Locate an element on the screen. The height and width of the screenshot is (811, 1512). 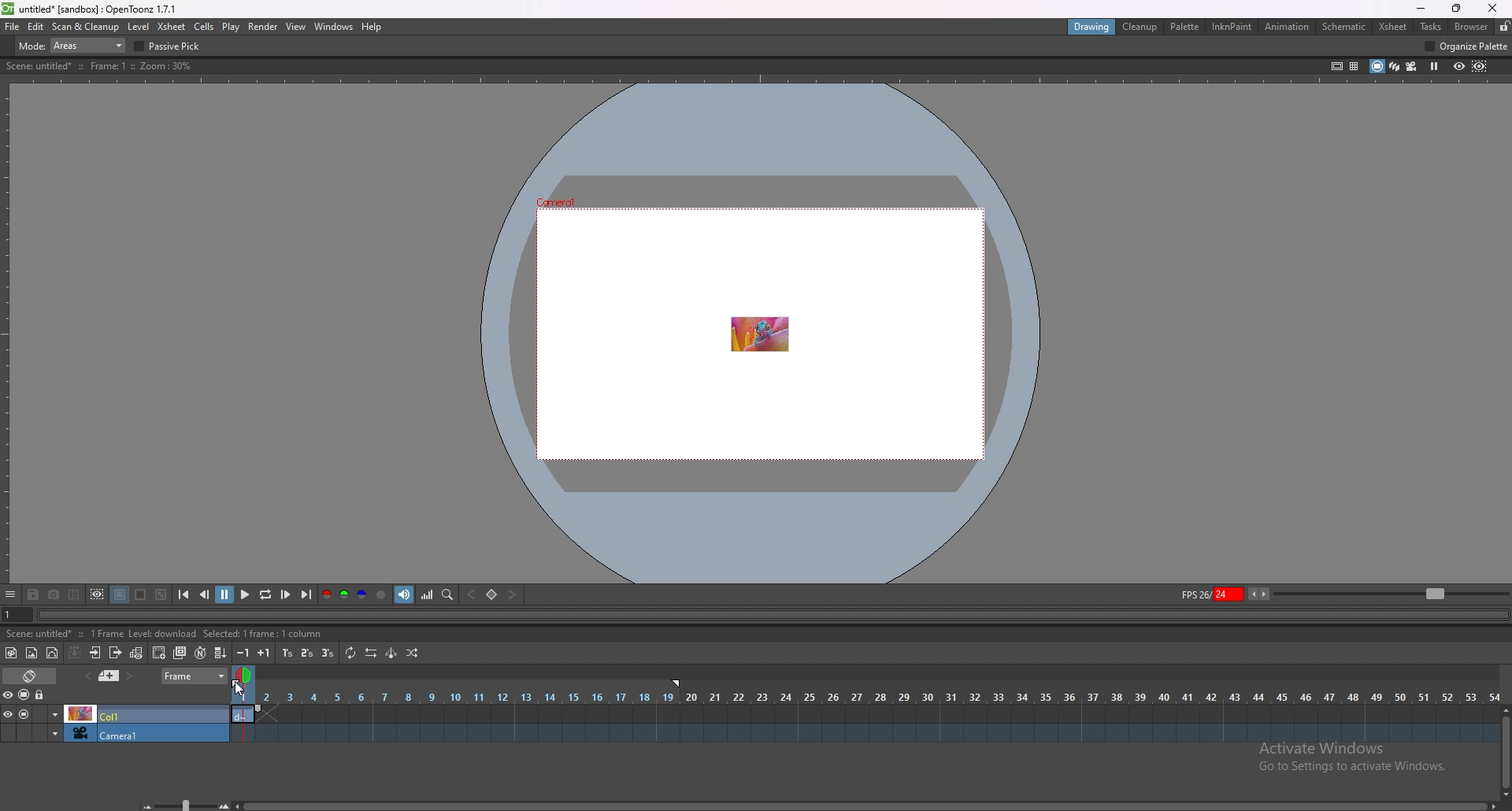
cells is located at coordinates (204, 26).